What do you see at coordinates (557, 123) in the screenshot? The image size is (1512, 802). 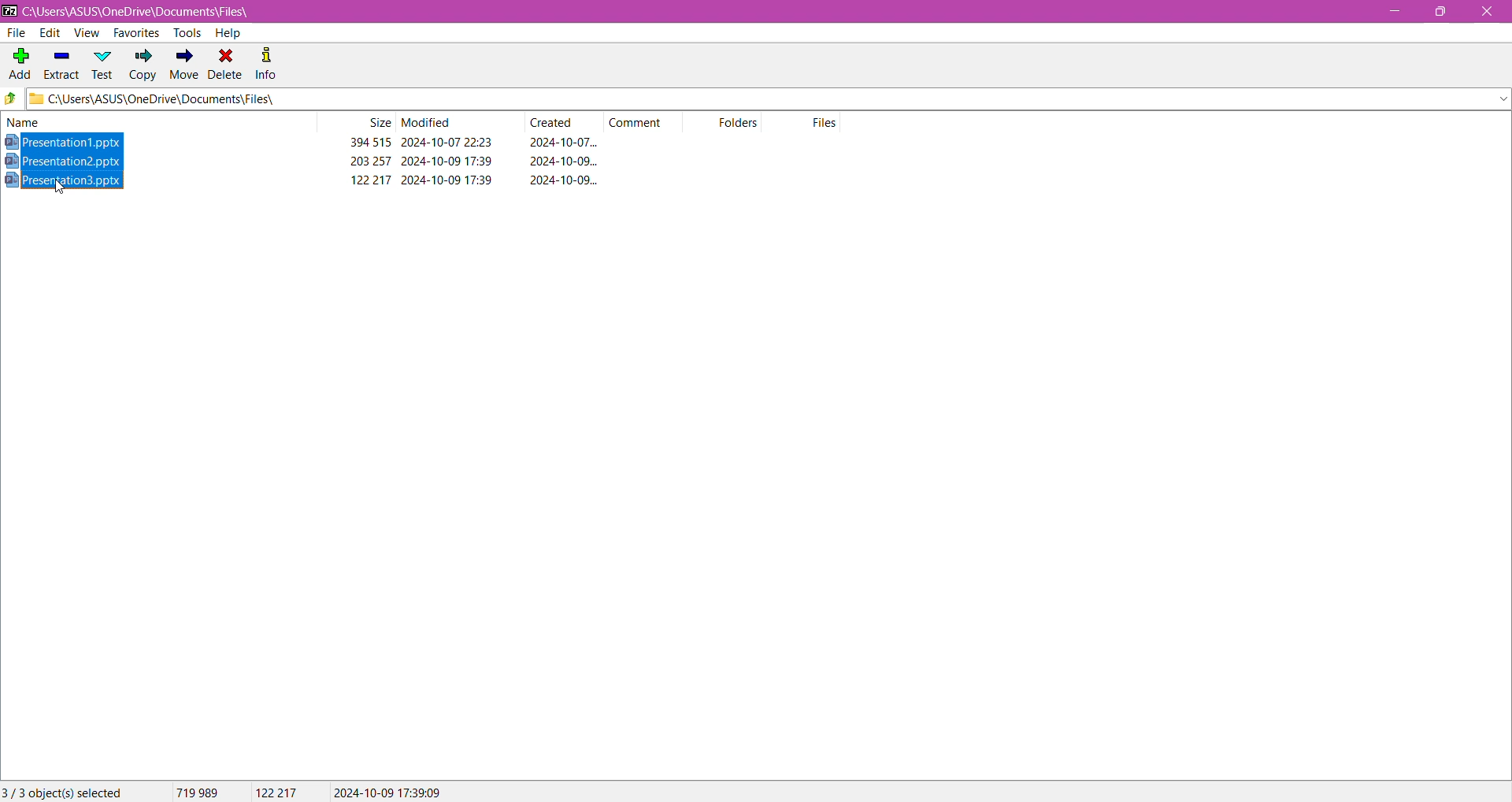 I see `Created` at bounding box center [557, 123].